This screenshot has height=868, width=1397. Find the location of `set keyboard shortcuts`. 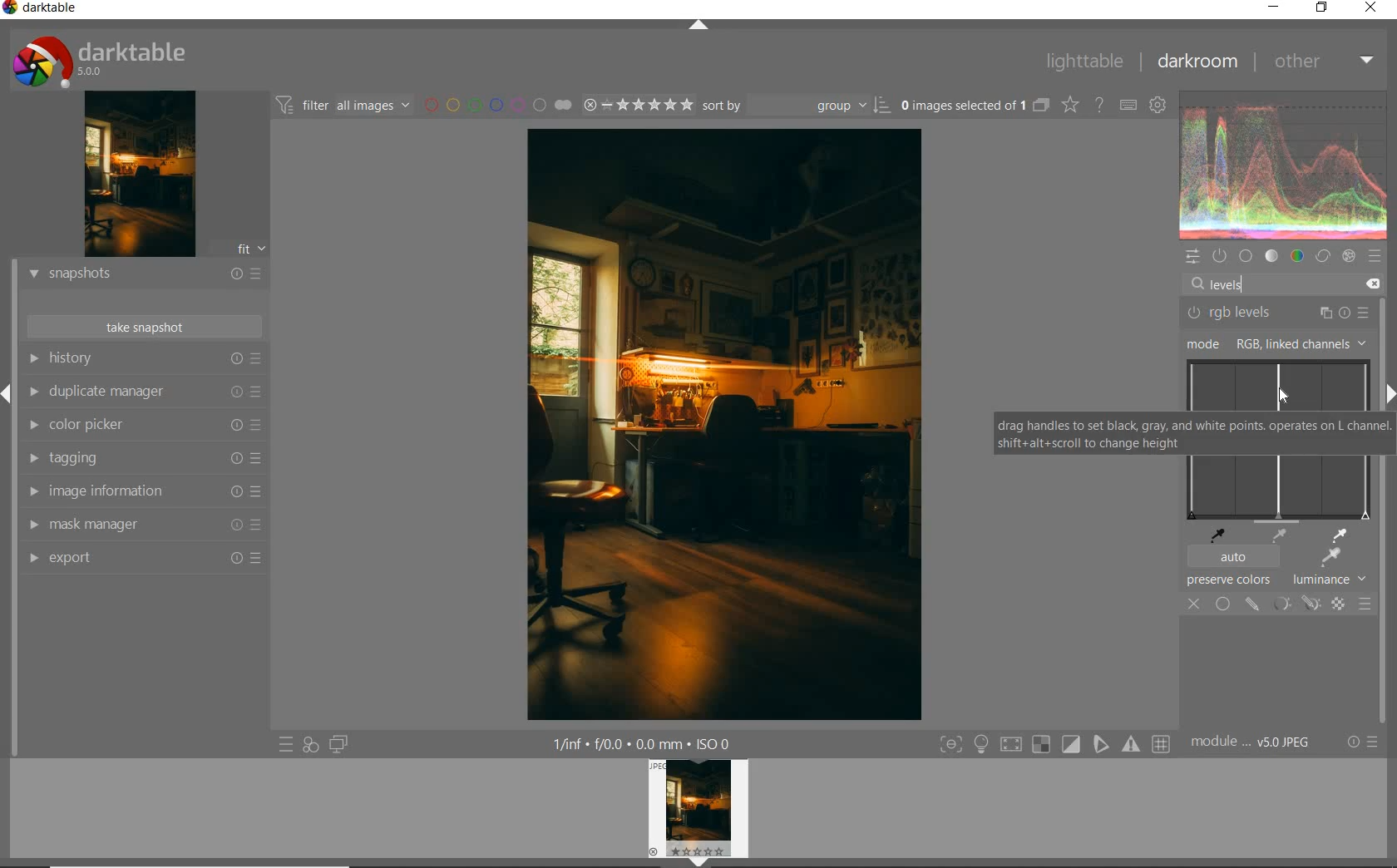

set keyboard shortcuts is located at coordinates (1128, 106).